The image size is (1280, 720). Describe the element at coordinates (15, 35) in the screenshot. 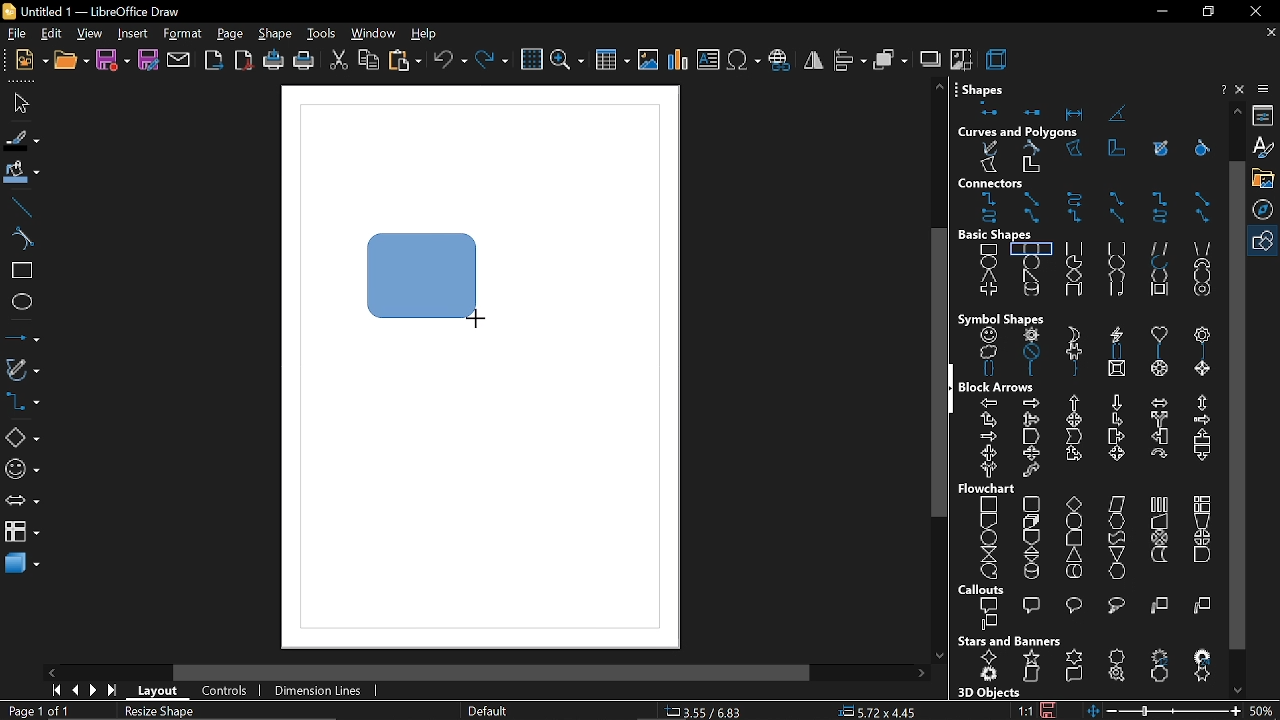

I see `file` at that location.